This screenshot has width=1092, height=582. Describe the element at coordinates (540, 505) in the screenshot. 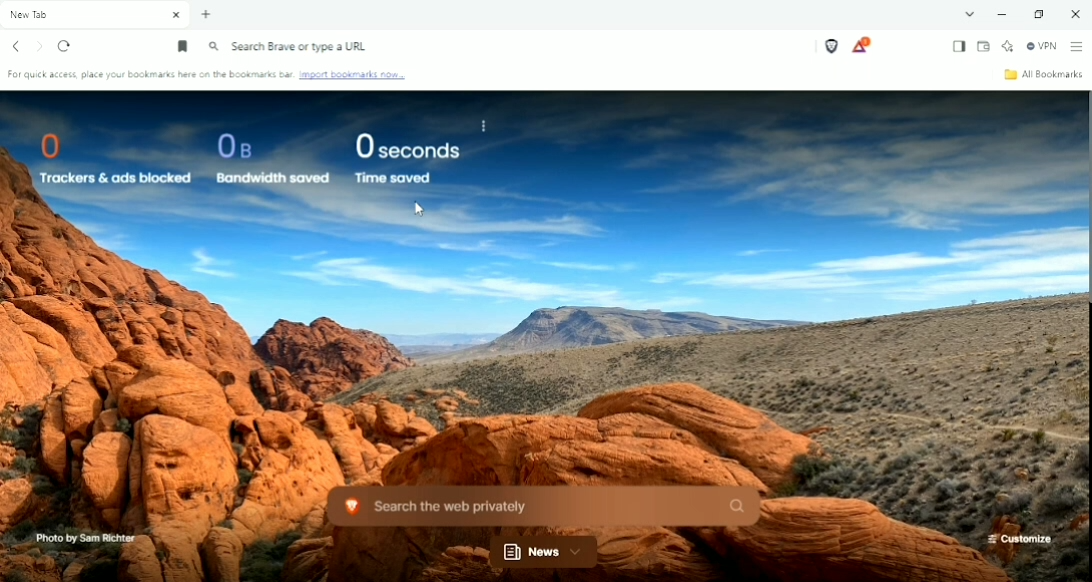

I see `Search the web privately` at that location.